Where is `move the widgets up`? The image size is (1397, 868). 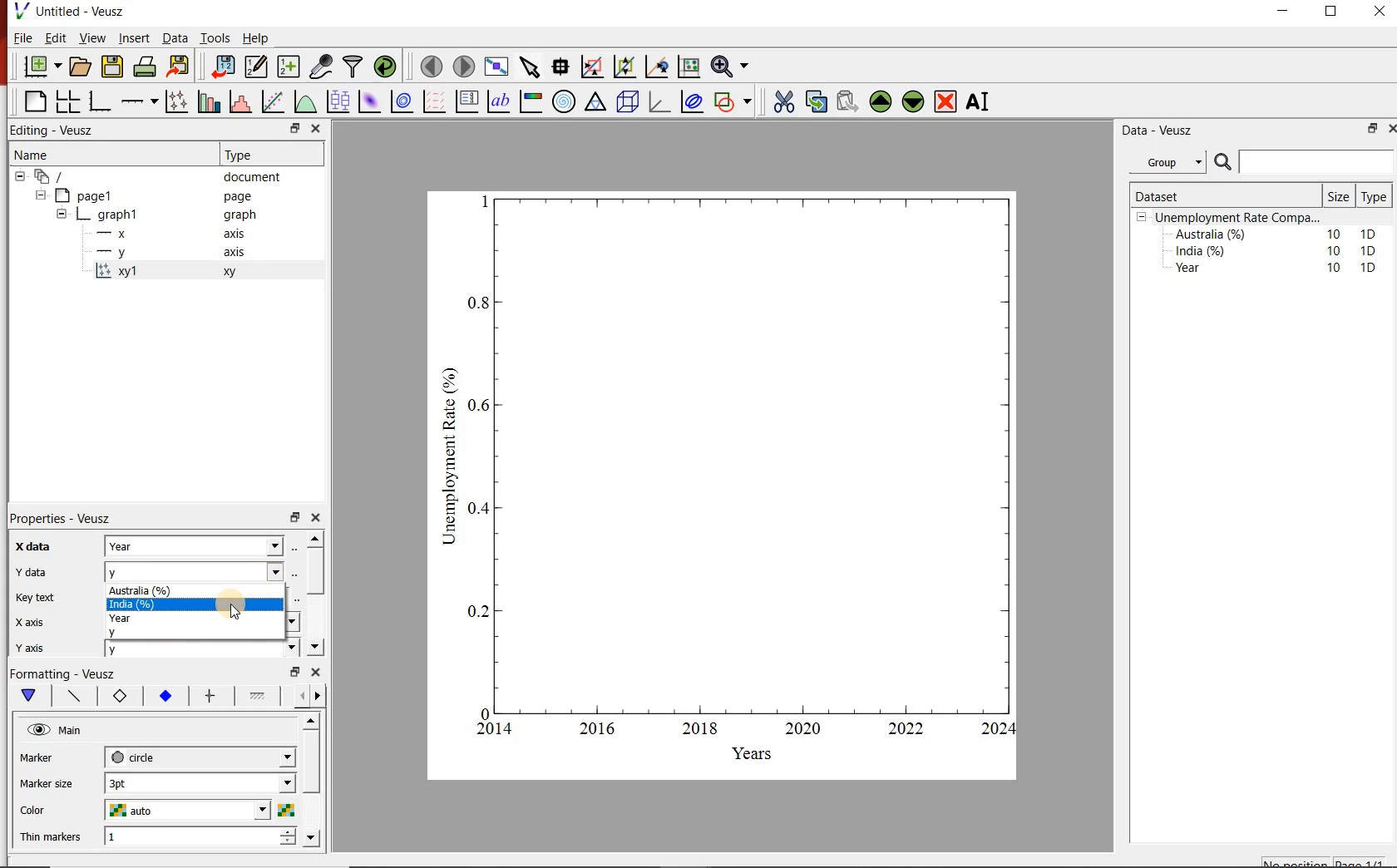 move the widgets up is located at coordinates (881, 101).